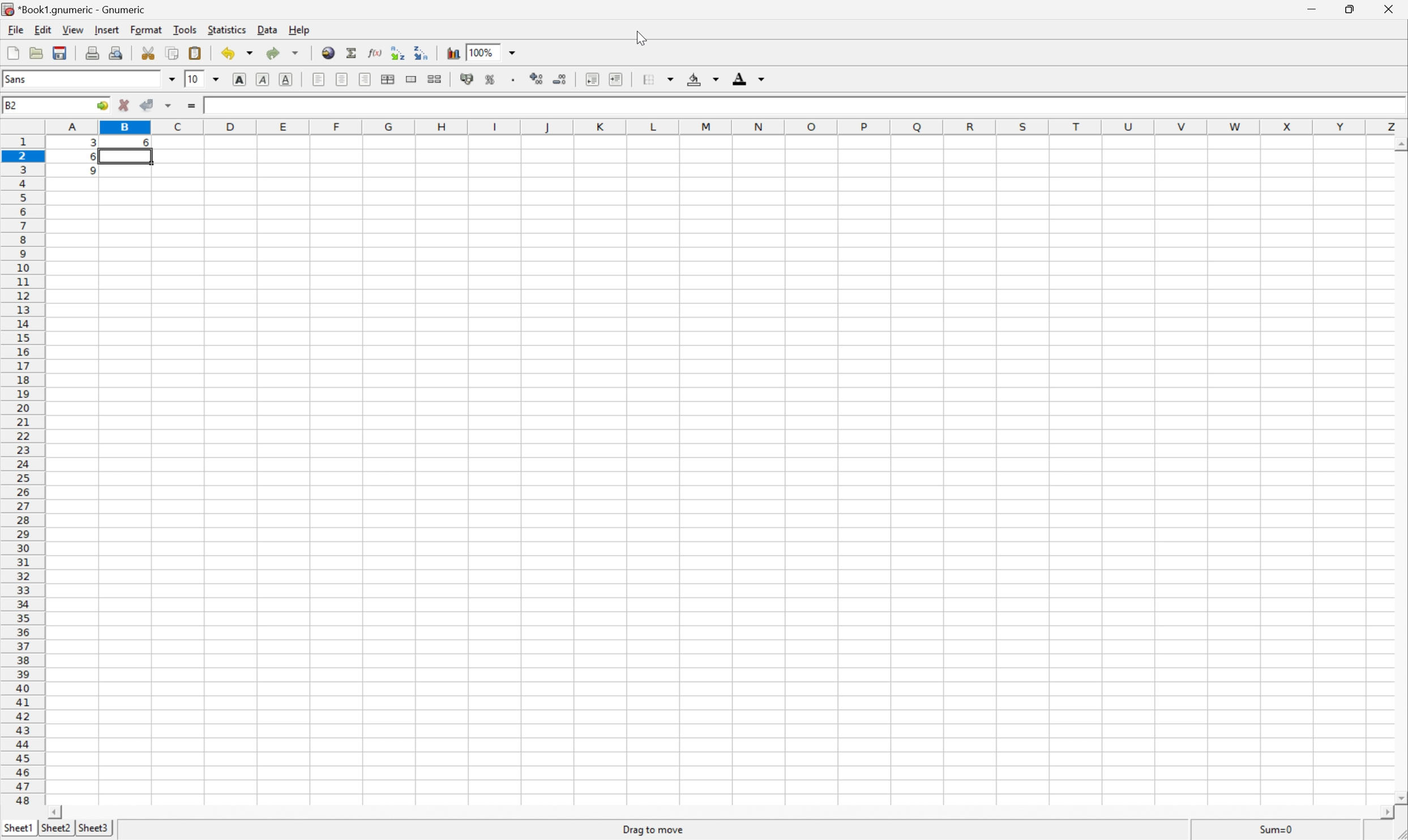 The height and width of the screenshot is (840, 1408). I want to click on Drag to move, so click(654, 829).